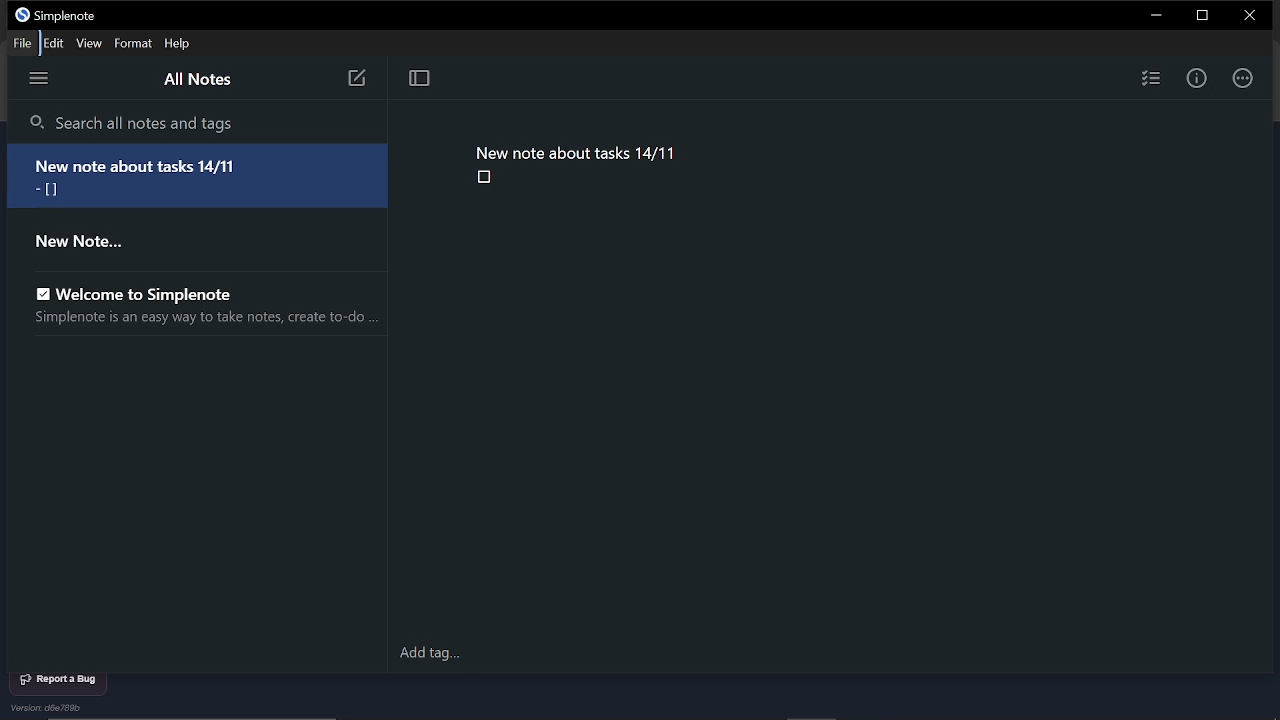 The width and height of the screenshot is (1280, 720). What do you see at coordinates (178, 44) in the screenshot?
I see `Help` at bounding box center [178, 44].